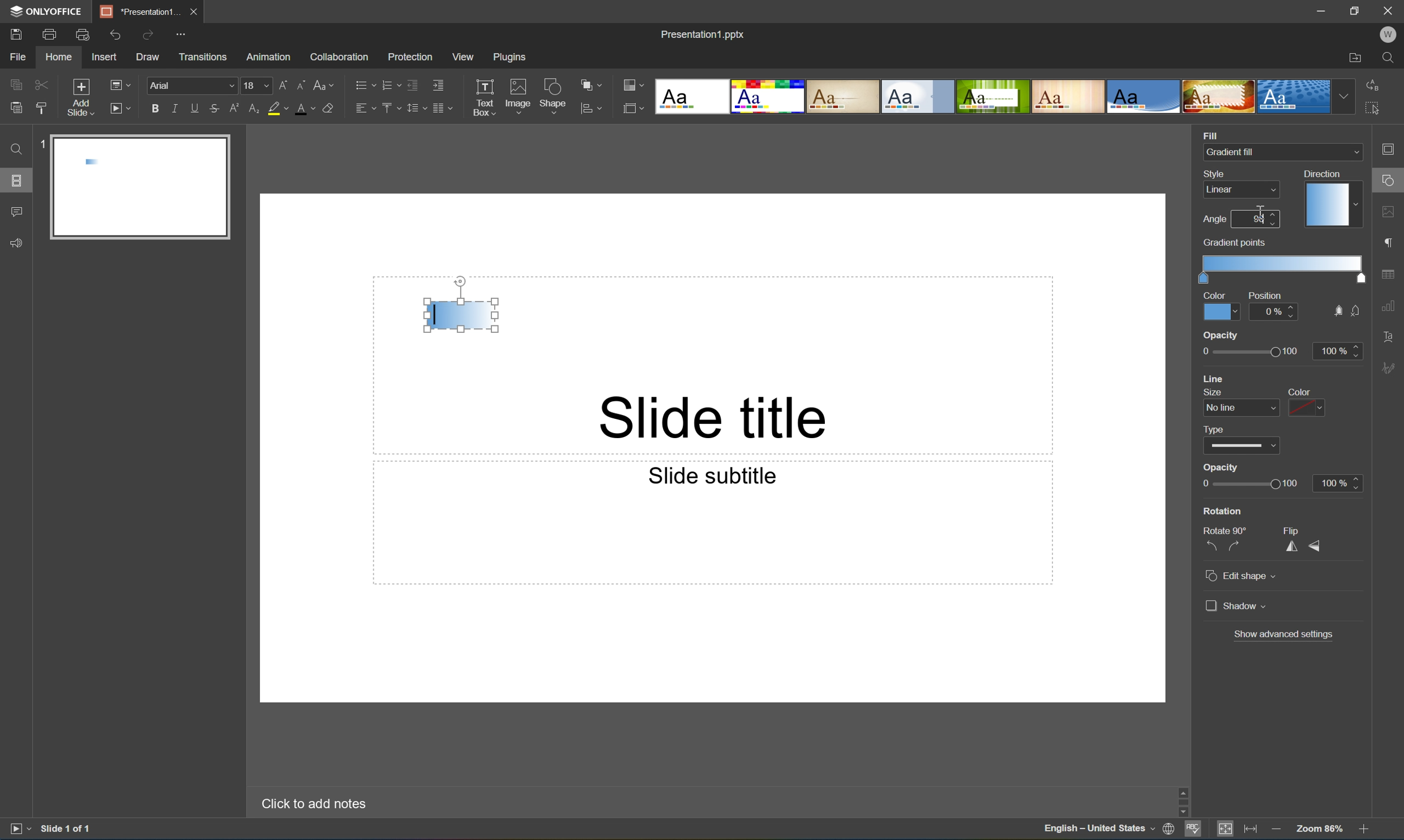 Image resolution: width=1404 pixels, height=840 pixels. Describe the element at coordinates (1248, 485) in the screenshot. I see `Slider` at that location.